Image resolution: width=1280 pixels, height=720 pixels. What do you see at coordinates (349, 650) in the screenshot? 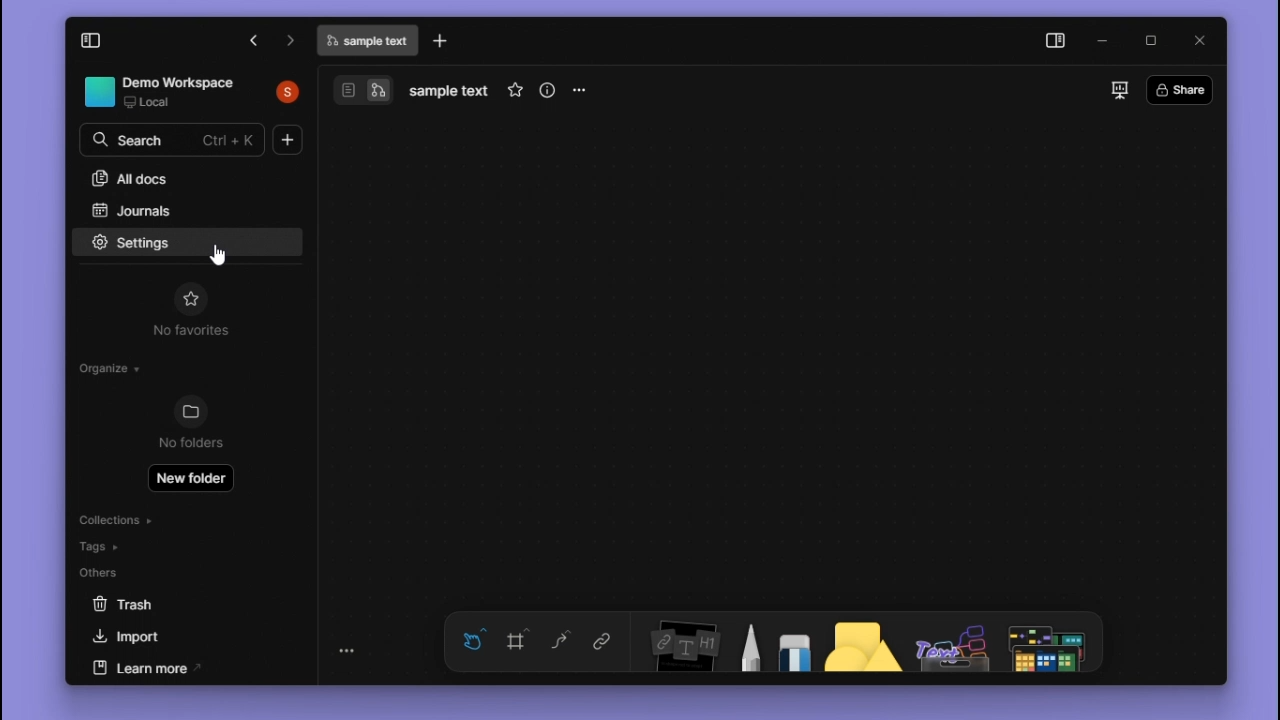
I see `toggle zoom tool bar` at bounding box center [349, 650].